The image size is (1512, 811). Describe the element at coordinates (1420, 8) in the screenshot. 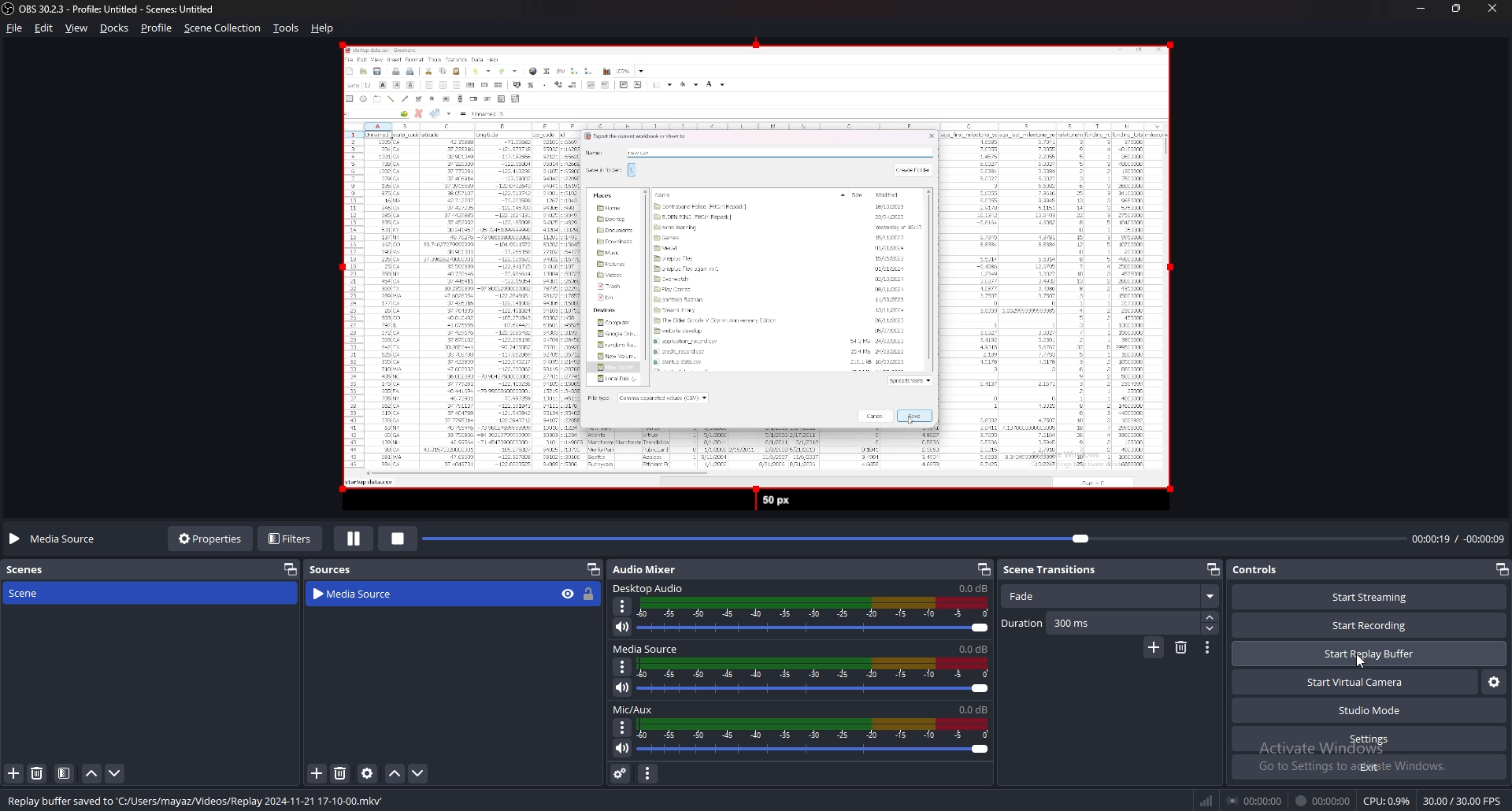

I see `minimize` at that location.